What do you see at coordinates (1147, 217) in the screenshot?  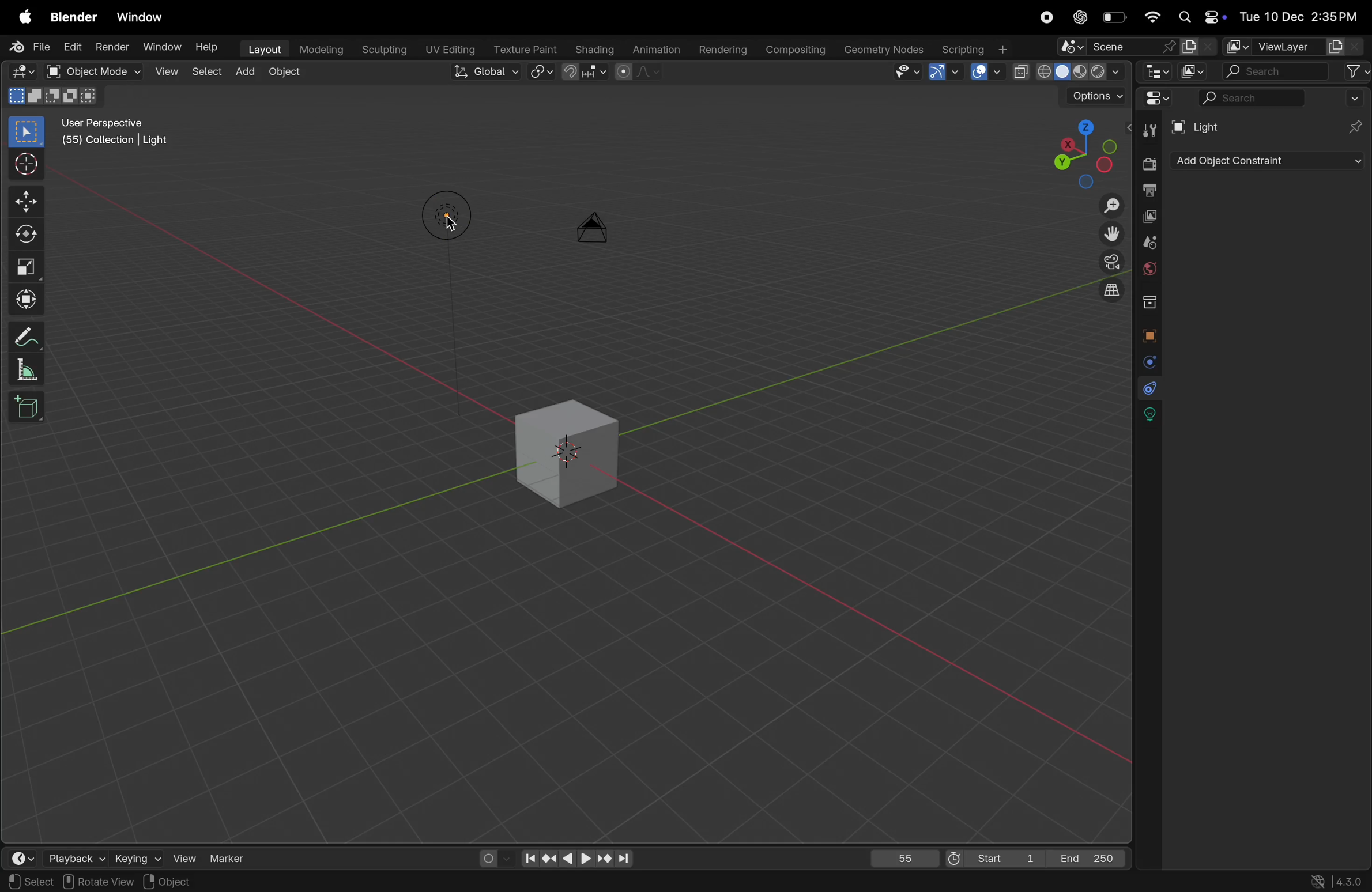 I see `view layer` at bounding box center [1147, 217].